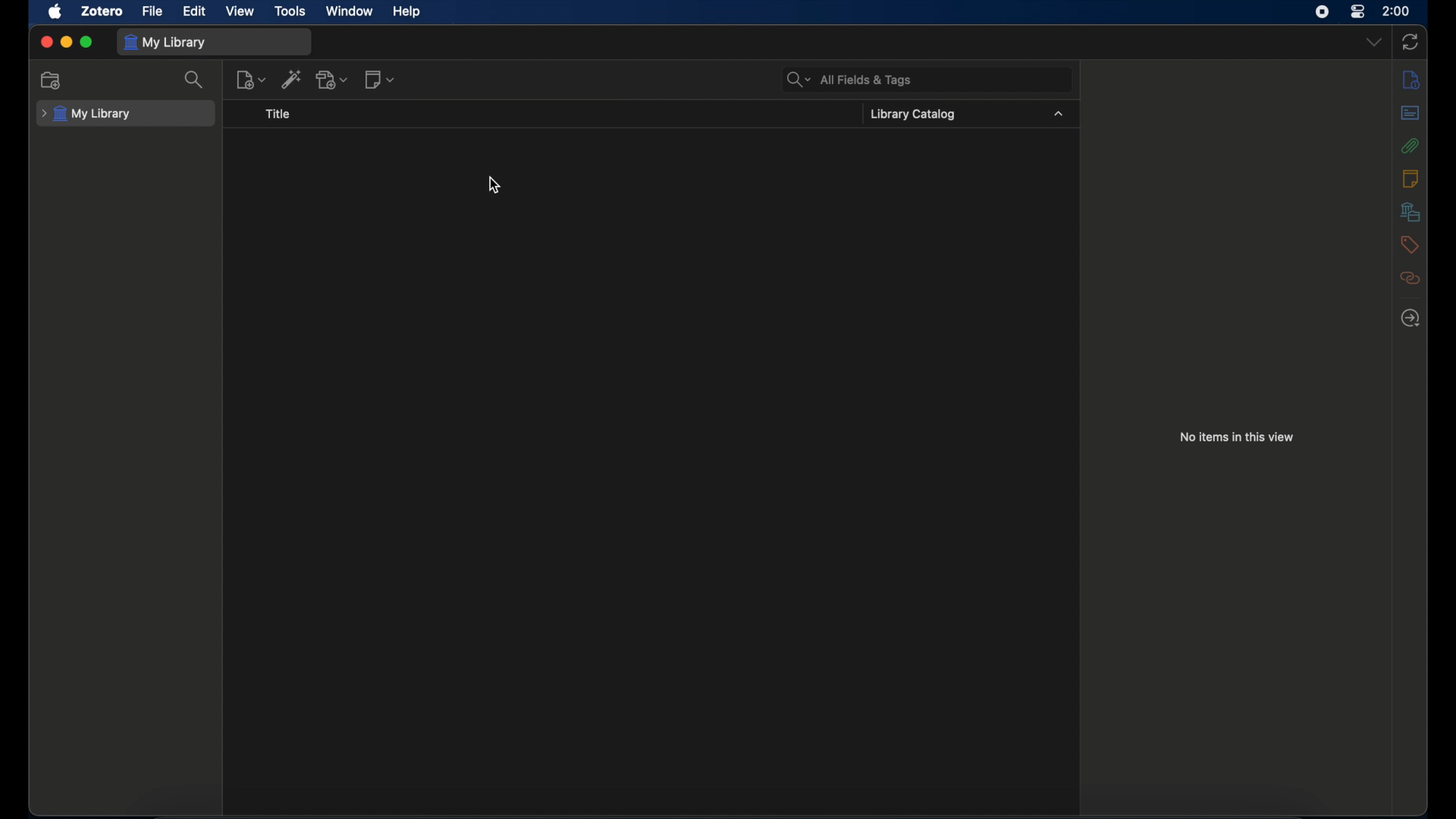 This screenshot has height=819, width=1456. What do you see at coordinates (153, 11) in the screenshot?
I see `file` at bounding box center [153, 11].